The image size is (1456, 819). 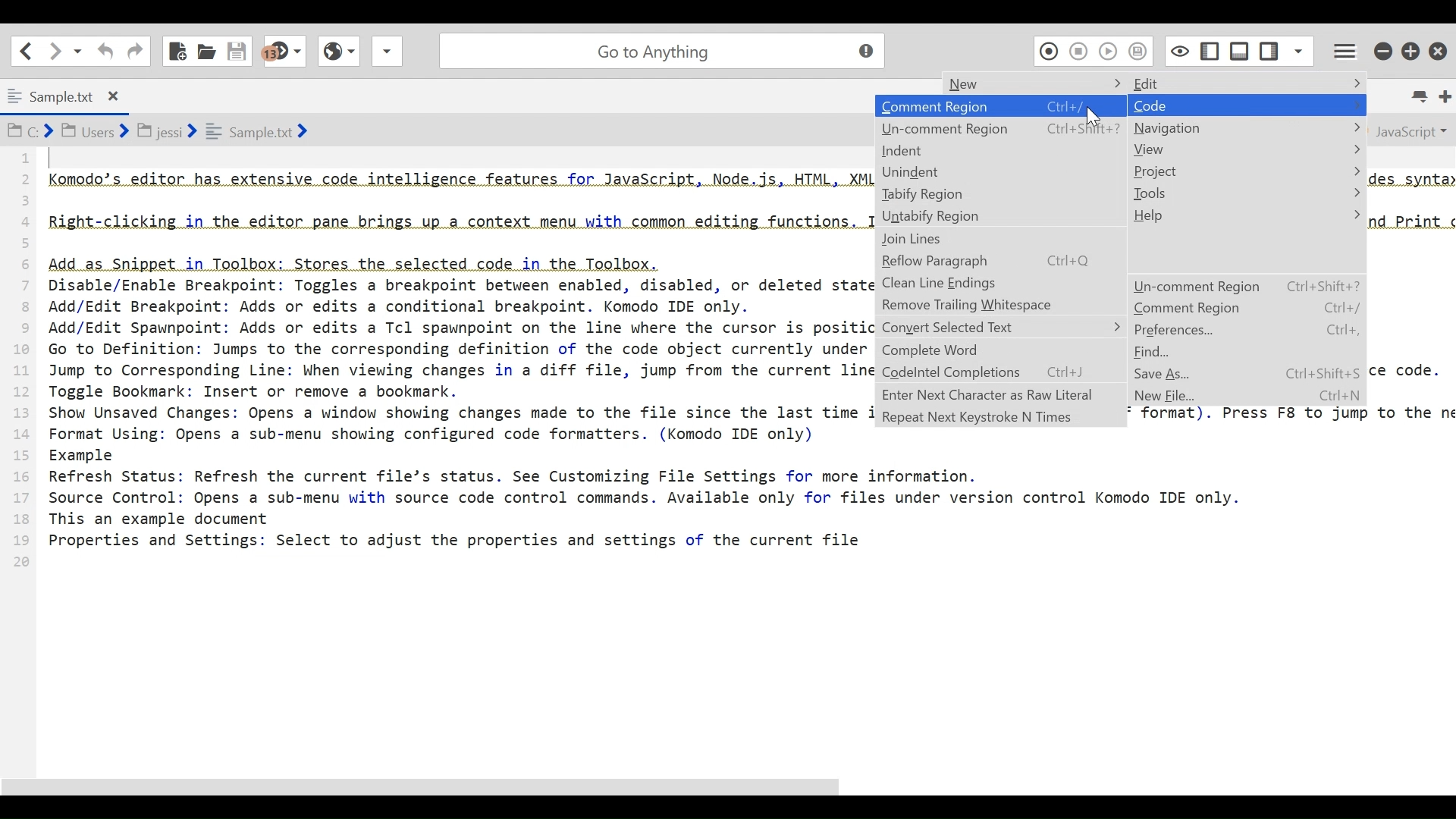 I want to click on Cursor, so click(x=1237, y=112).